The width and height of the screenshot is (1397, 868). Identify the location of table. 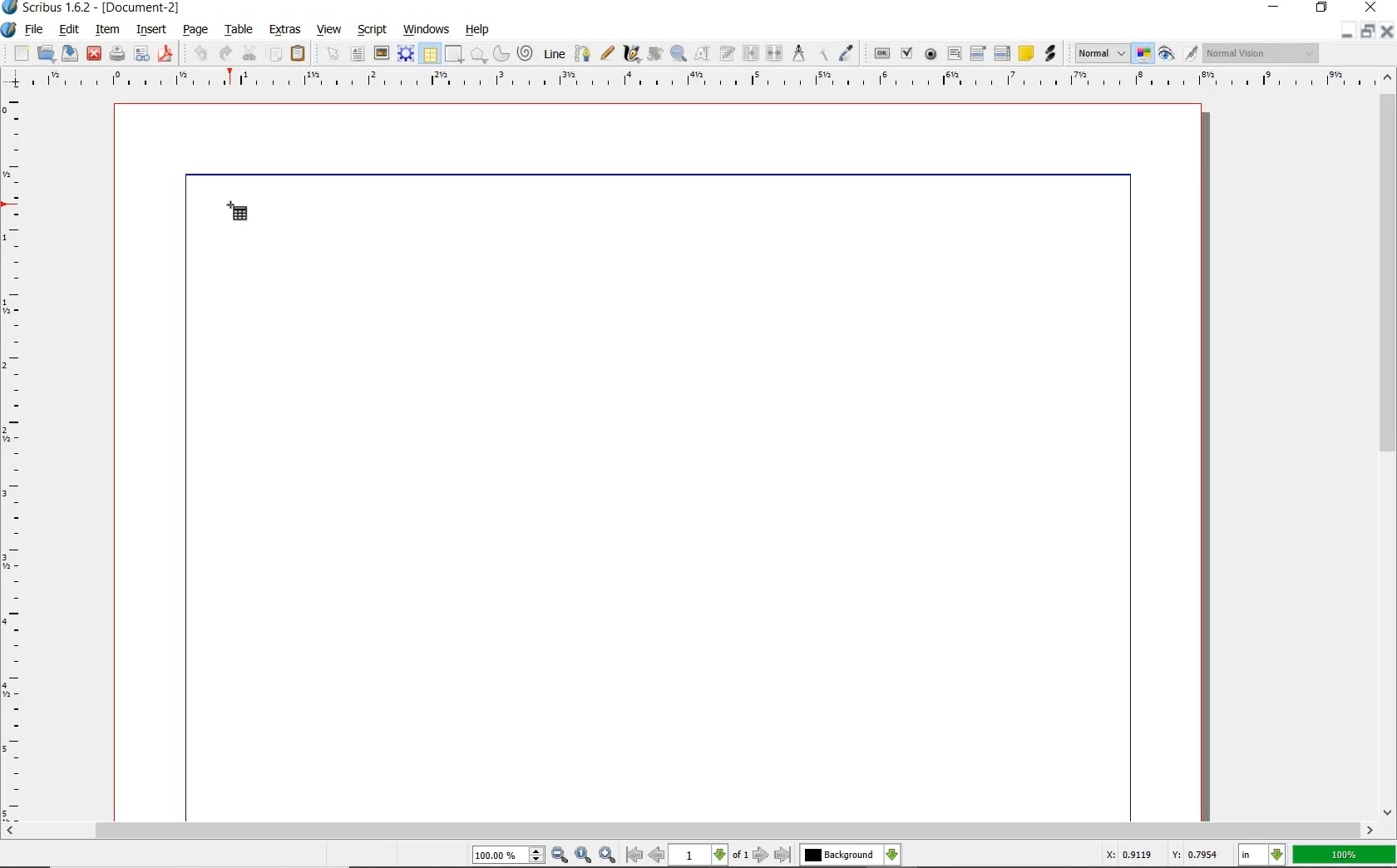
(430, 54).